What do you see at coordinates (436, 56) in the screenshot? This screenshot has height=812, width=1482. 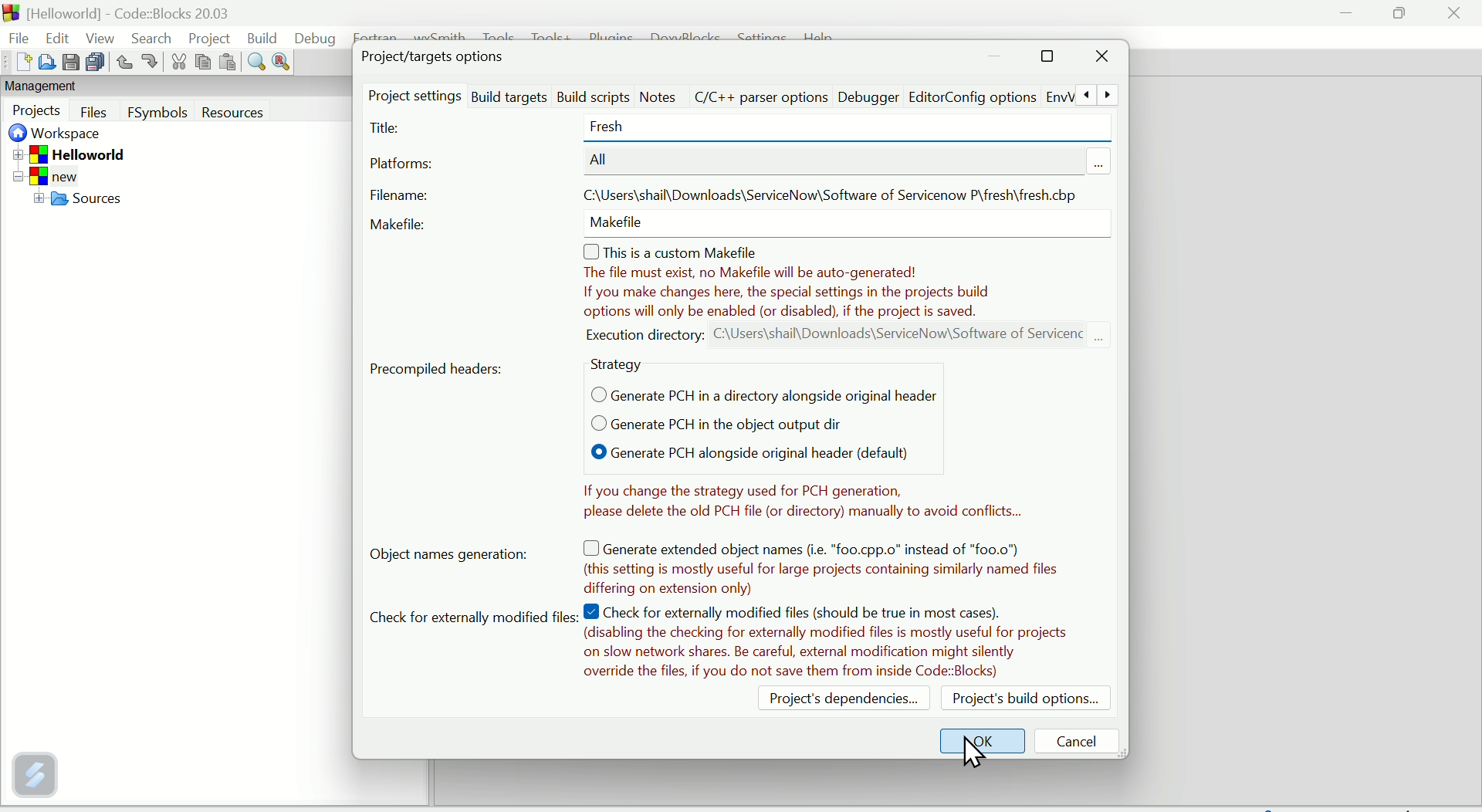 I see `Project target options` at bounding box center [436, 56].